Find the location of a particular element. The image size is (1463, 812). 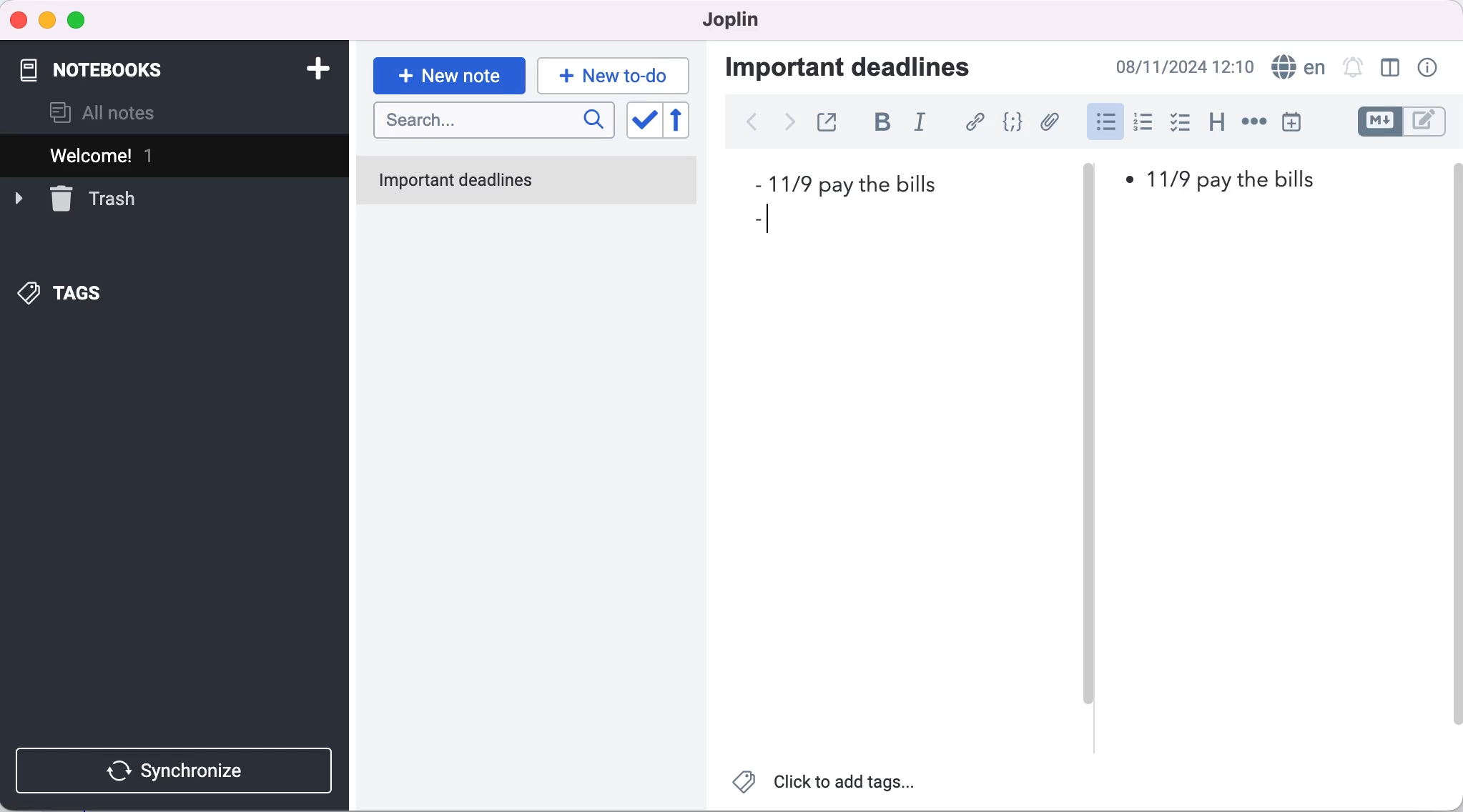

numbered list is located at coordinates (1142, 123).